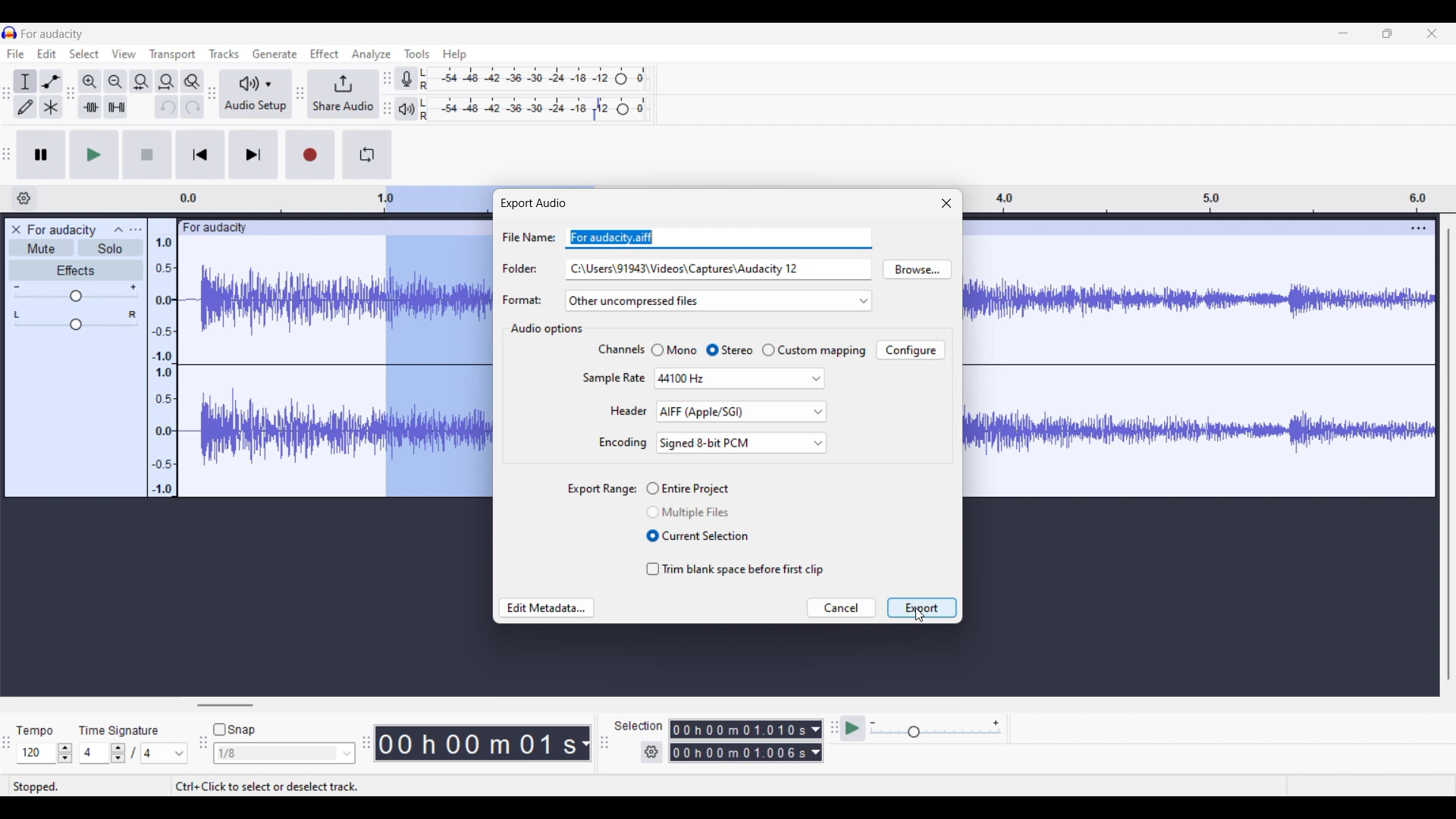  What do you see at coordinates (193, 107) in the screenshot?
I see `Redo` at bounding box center [193, 107].